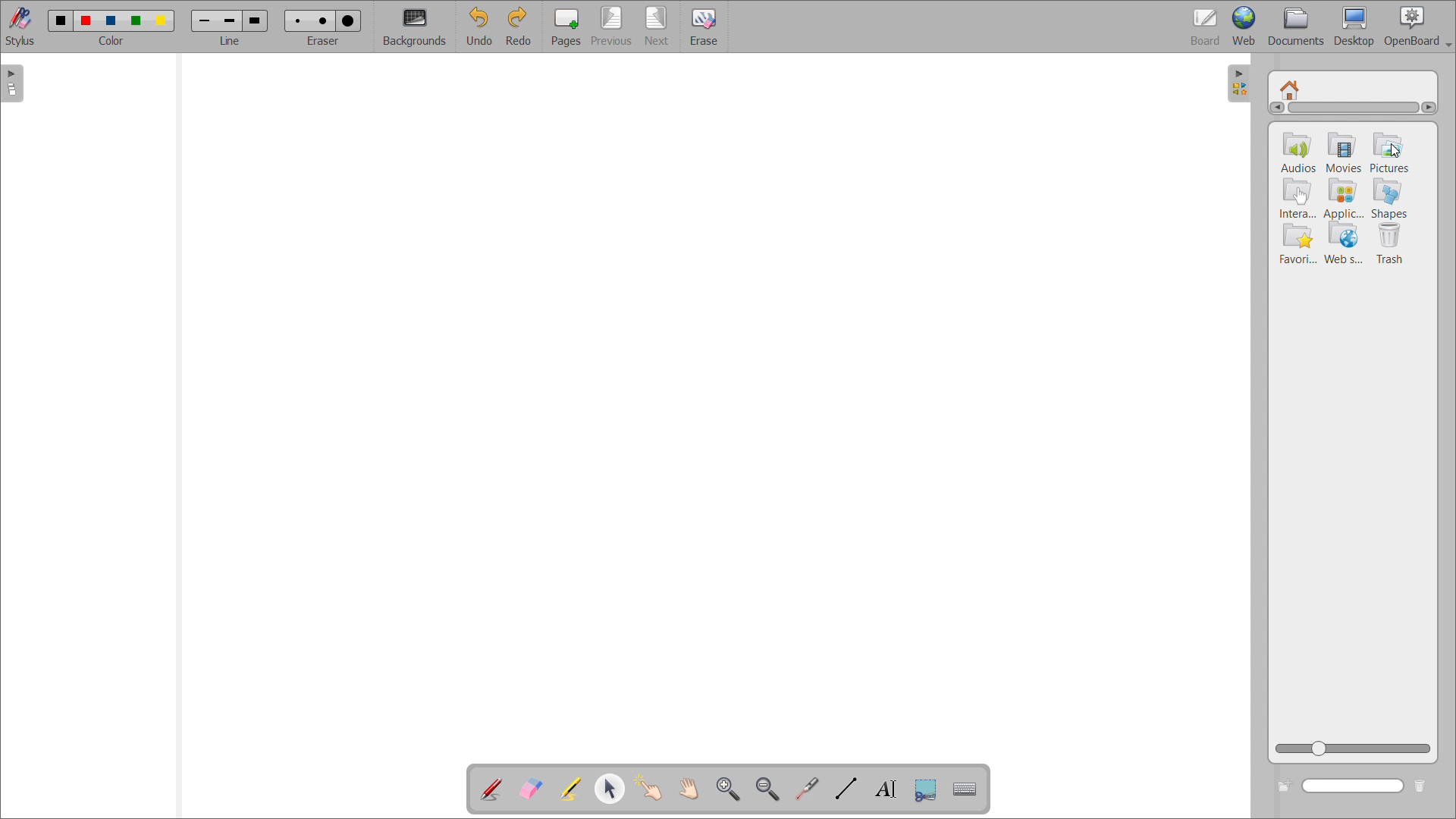 This screenshot has height=819, width=1456. What do you see at coordinates (845, 789) in the screenshot?
I see `draw lines` at bounding box center [845, 789].